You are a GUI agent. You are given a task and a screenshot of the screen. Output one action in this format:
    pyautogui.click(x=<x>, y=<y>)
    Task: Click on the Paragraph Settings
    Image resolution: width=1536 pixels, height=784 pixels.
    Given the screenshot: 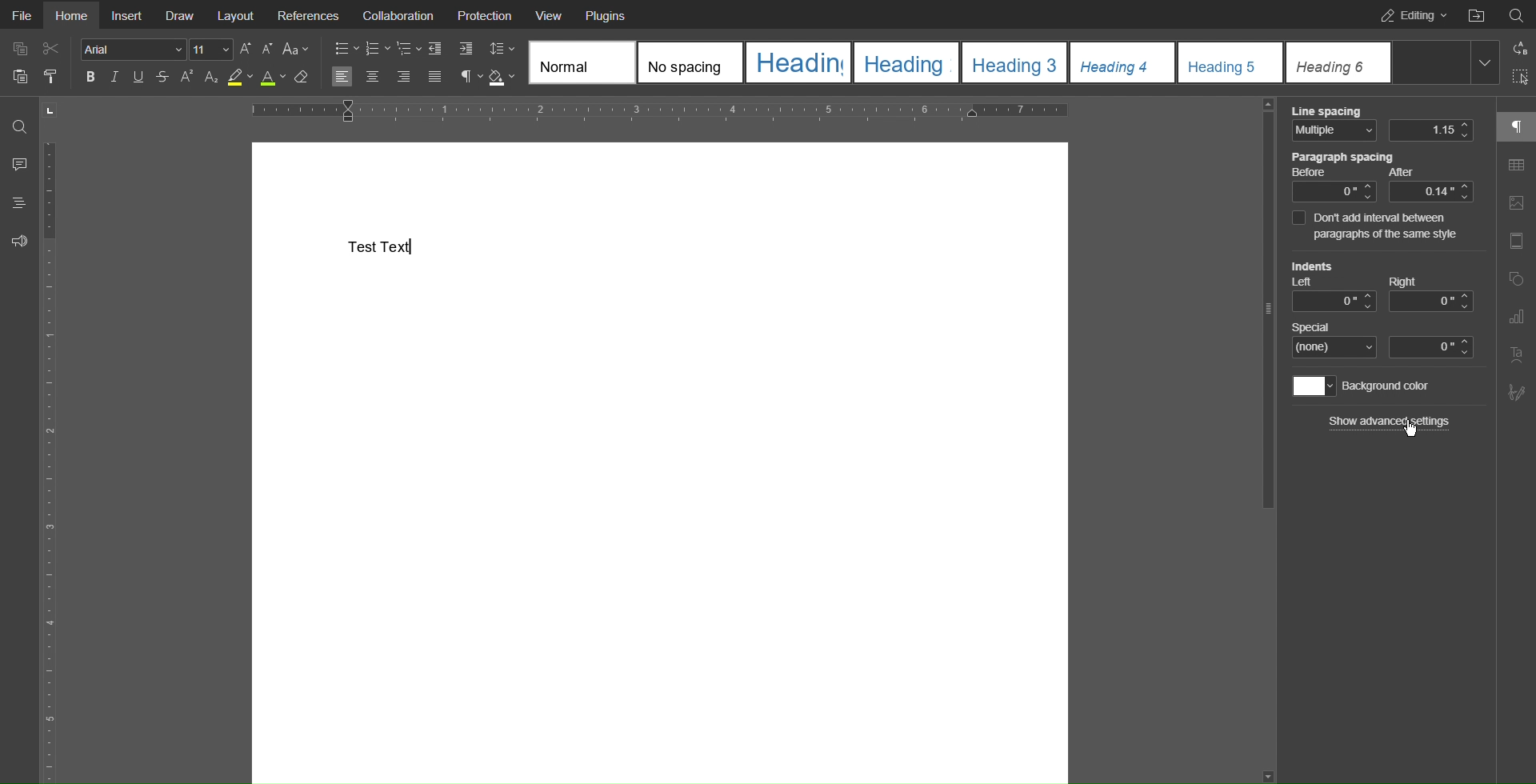 What is the action you would take?
    pyautogui.click(x=470, y=78)
    